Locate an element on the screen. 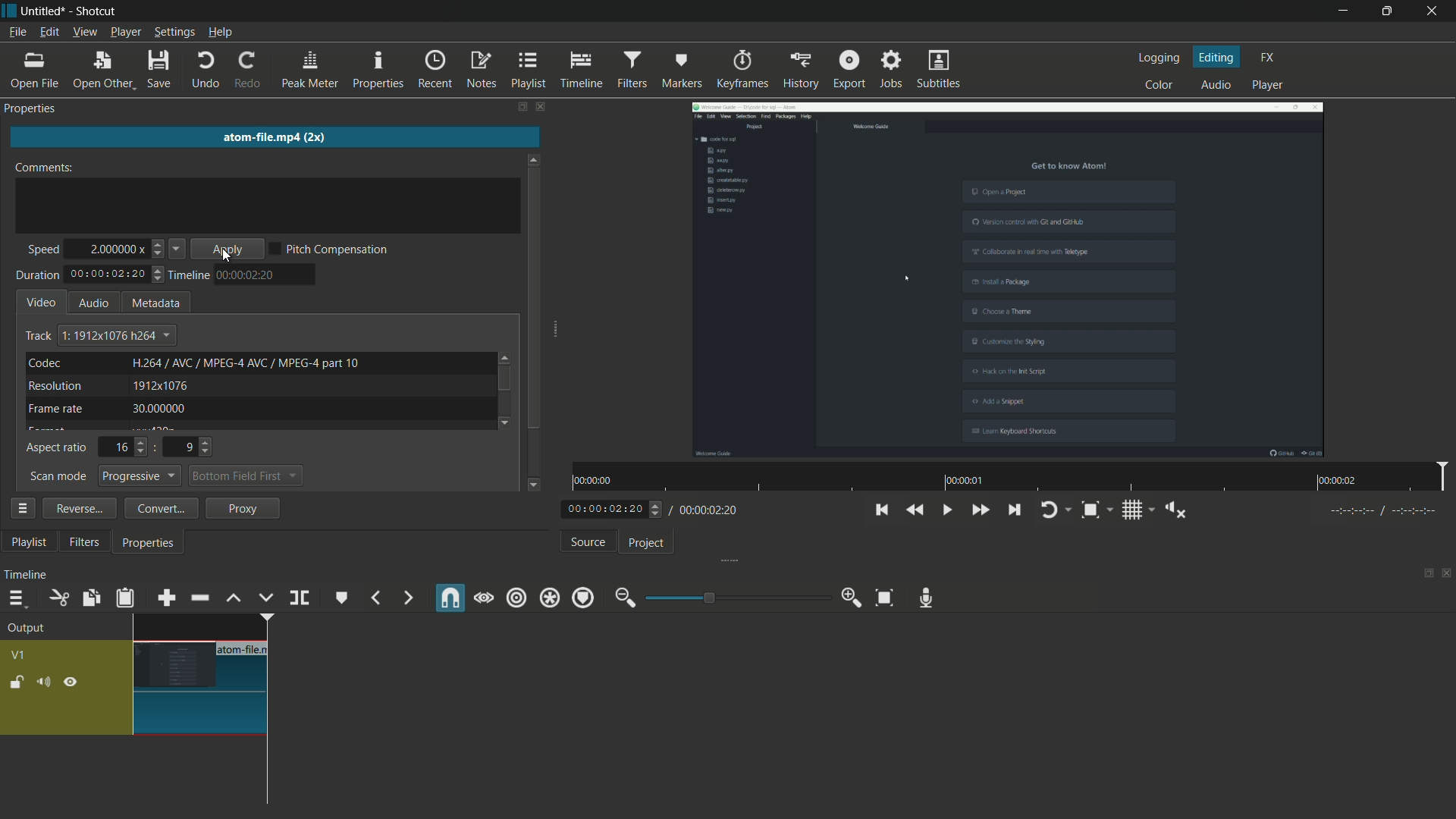 This screenshot has height=819, width=1456. text is located at coordinates (117, 334).